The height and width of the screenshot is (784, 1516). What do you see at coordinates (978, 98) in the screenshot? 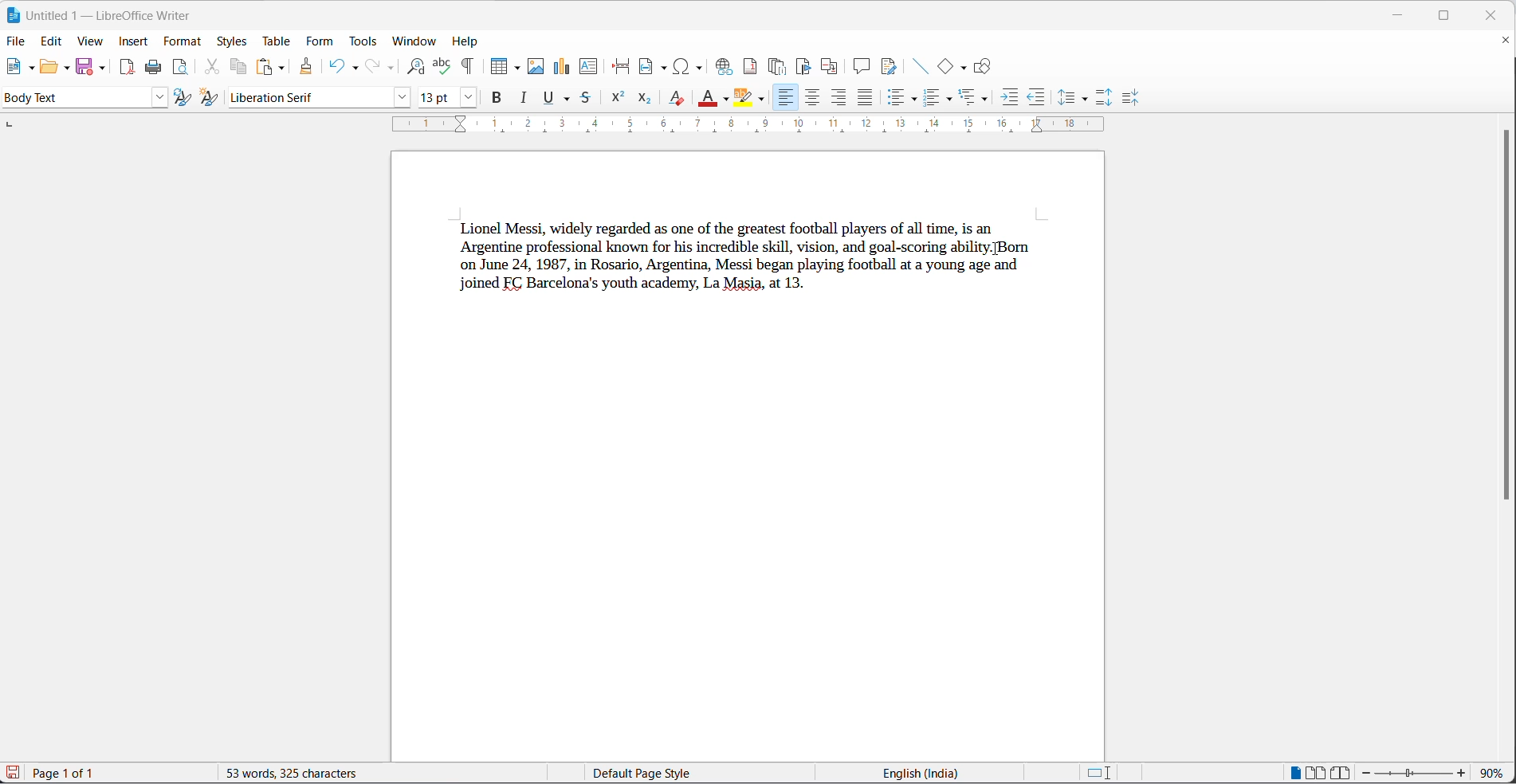
I see `select outline format` at bounding box center [978, 98].